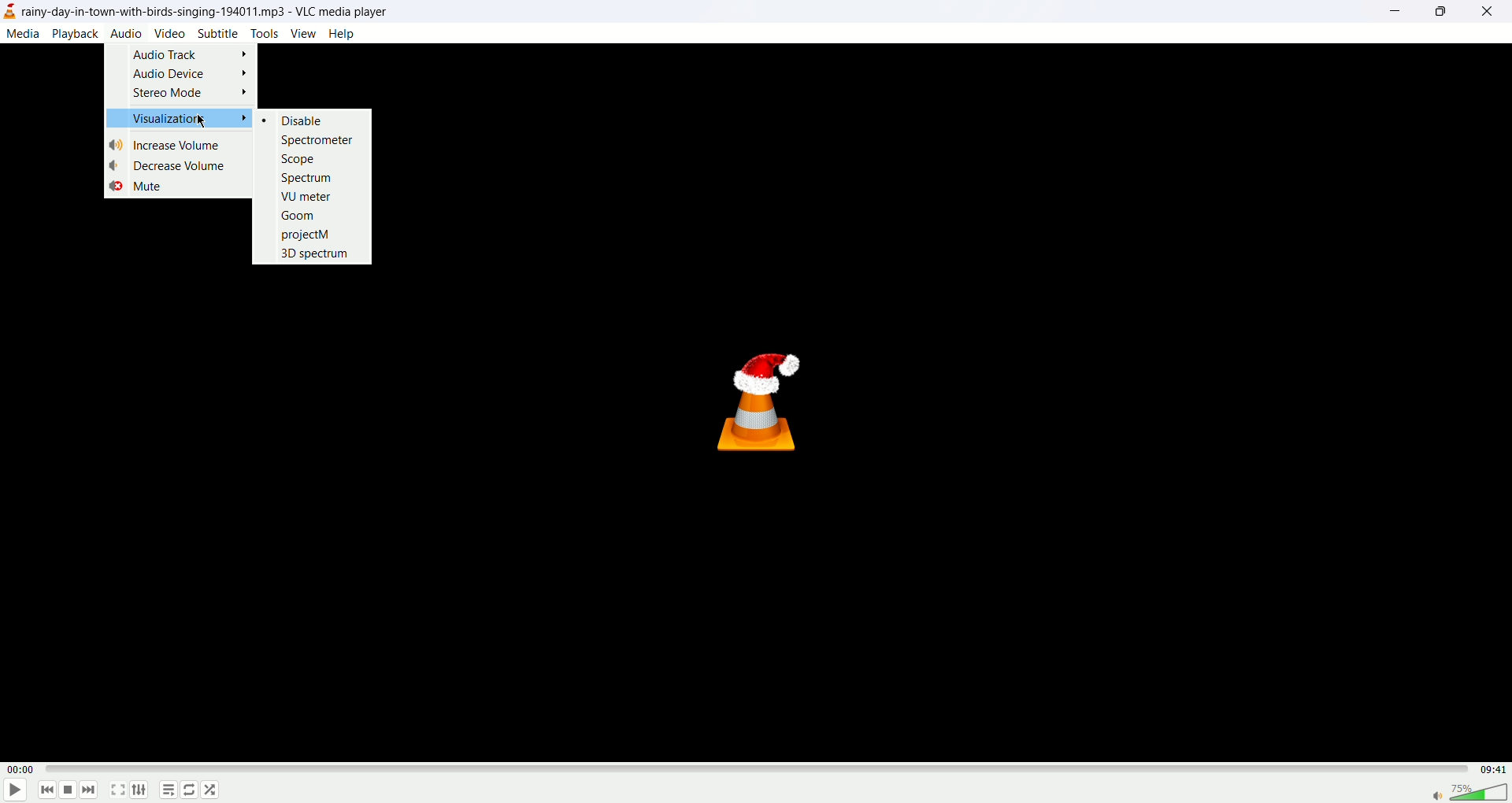  I want to click on projectM, so click(306, 234).